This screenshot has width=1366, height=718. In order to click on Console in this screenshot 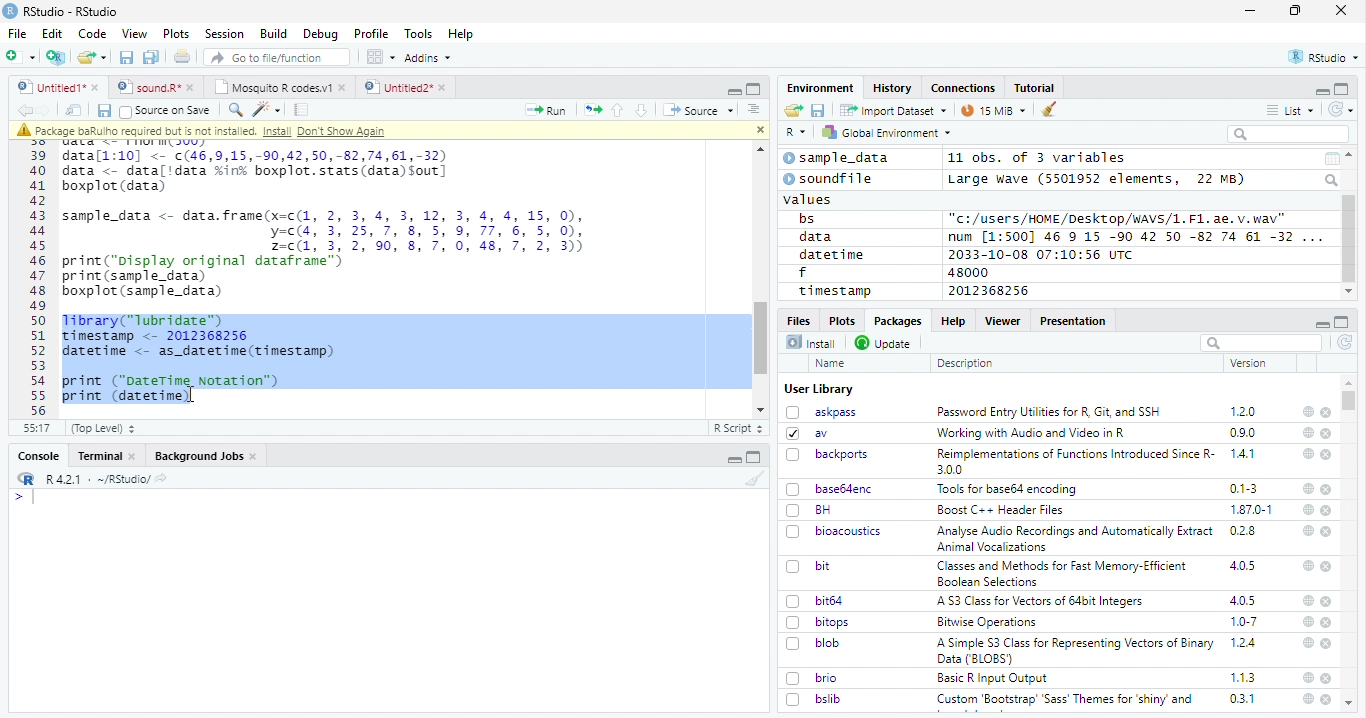, I will do `click(38, 456)`.